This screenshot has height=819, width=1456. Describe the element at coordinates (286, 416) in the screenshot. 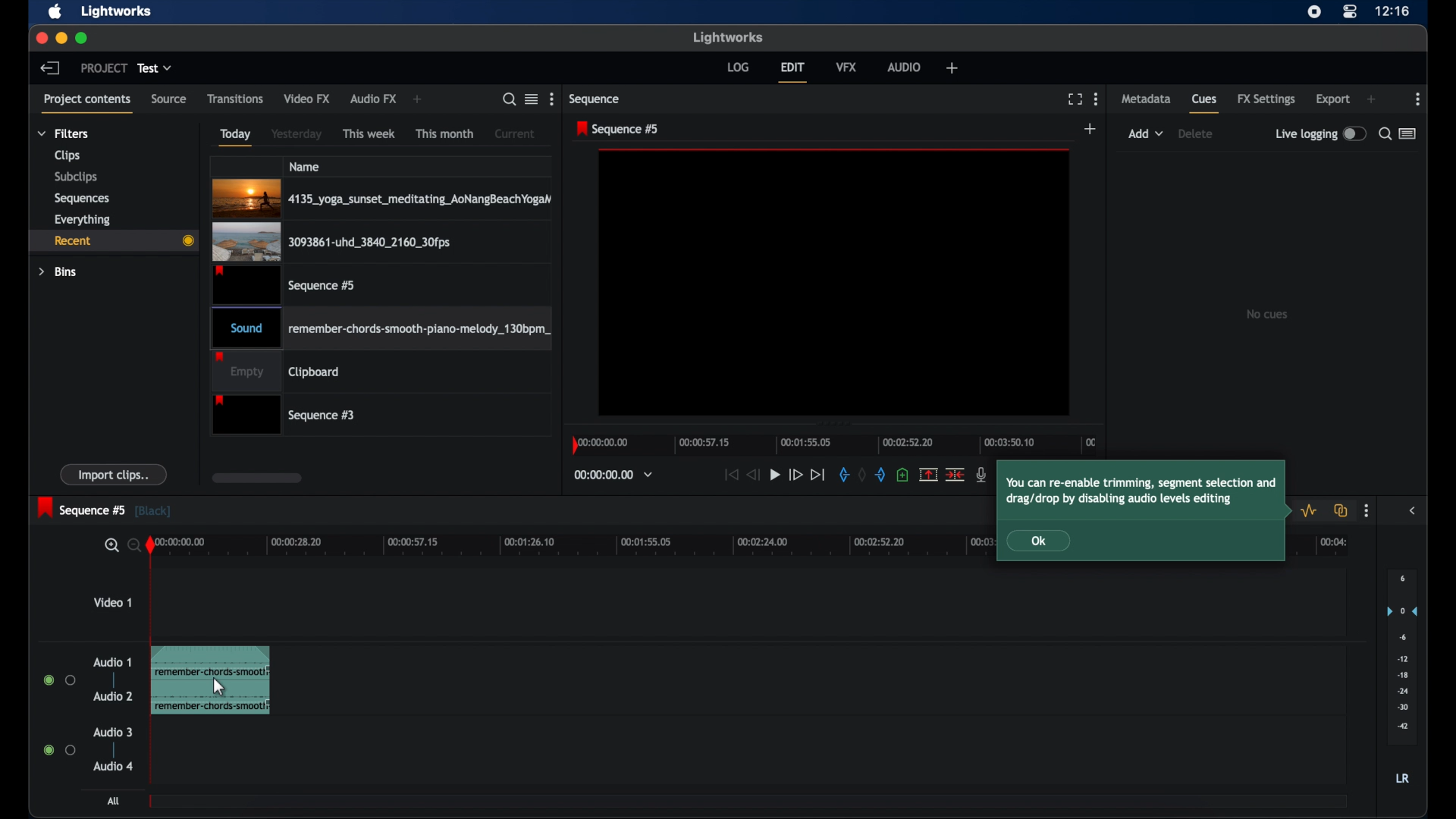

I see `sequence #3` at that location.